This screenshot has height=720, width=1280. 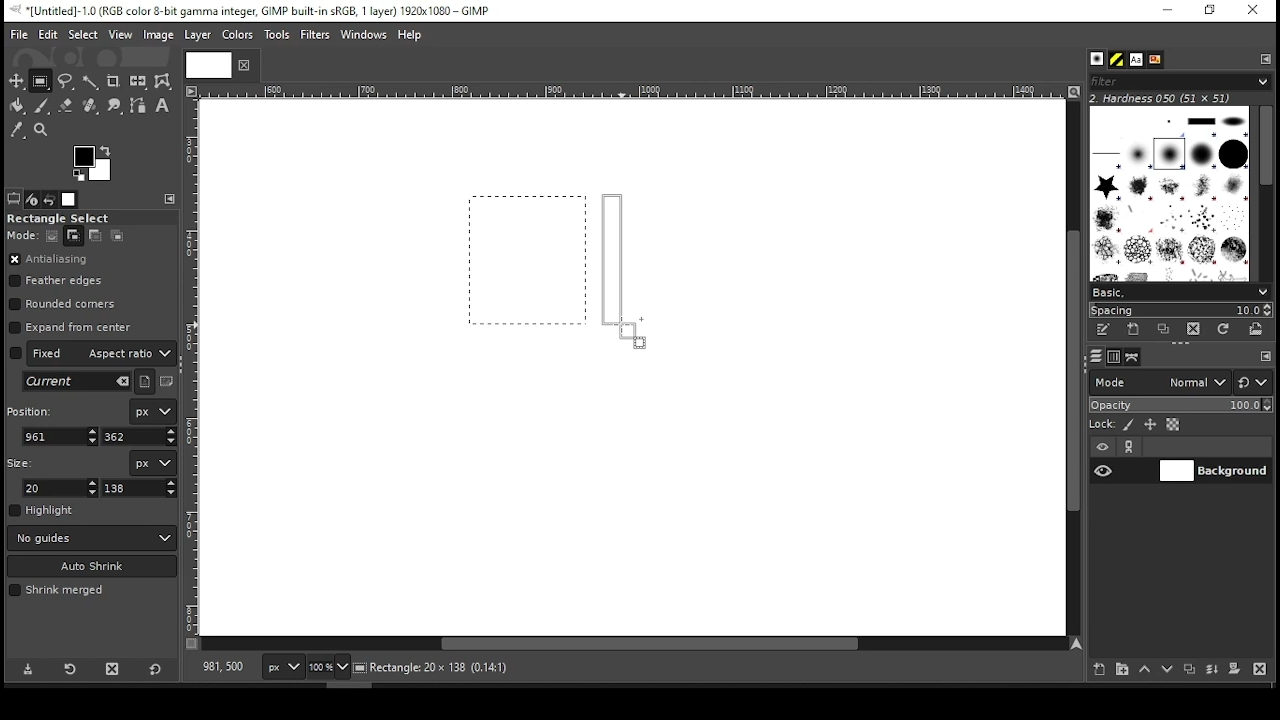 I want to click on channels, so click(x=1113, y=357).